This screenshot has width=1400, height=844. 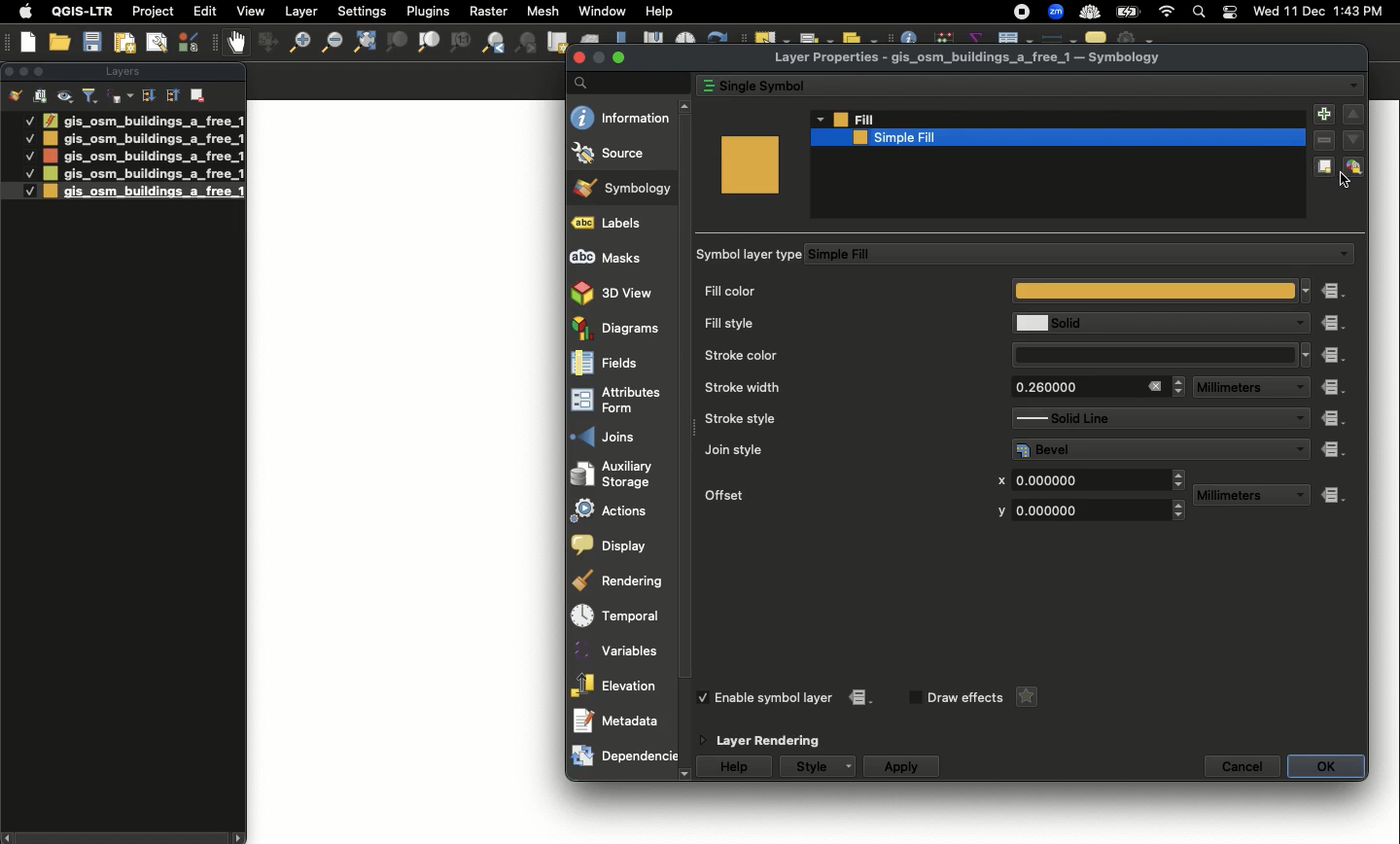 I want to click on Style, so click(x=810, y=766).